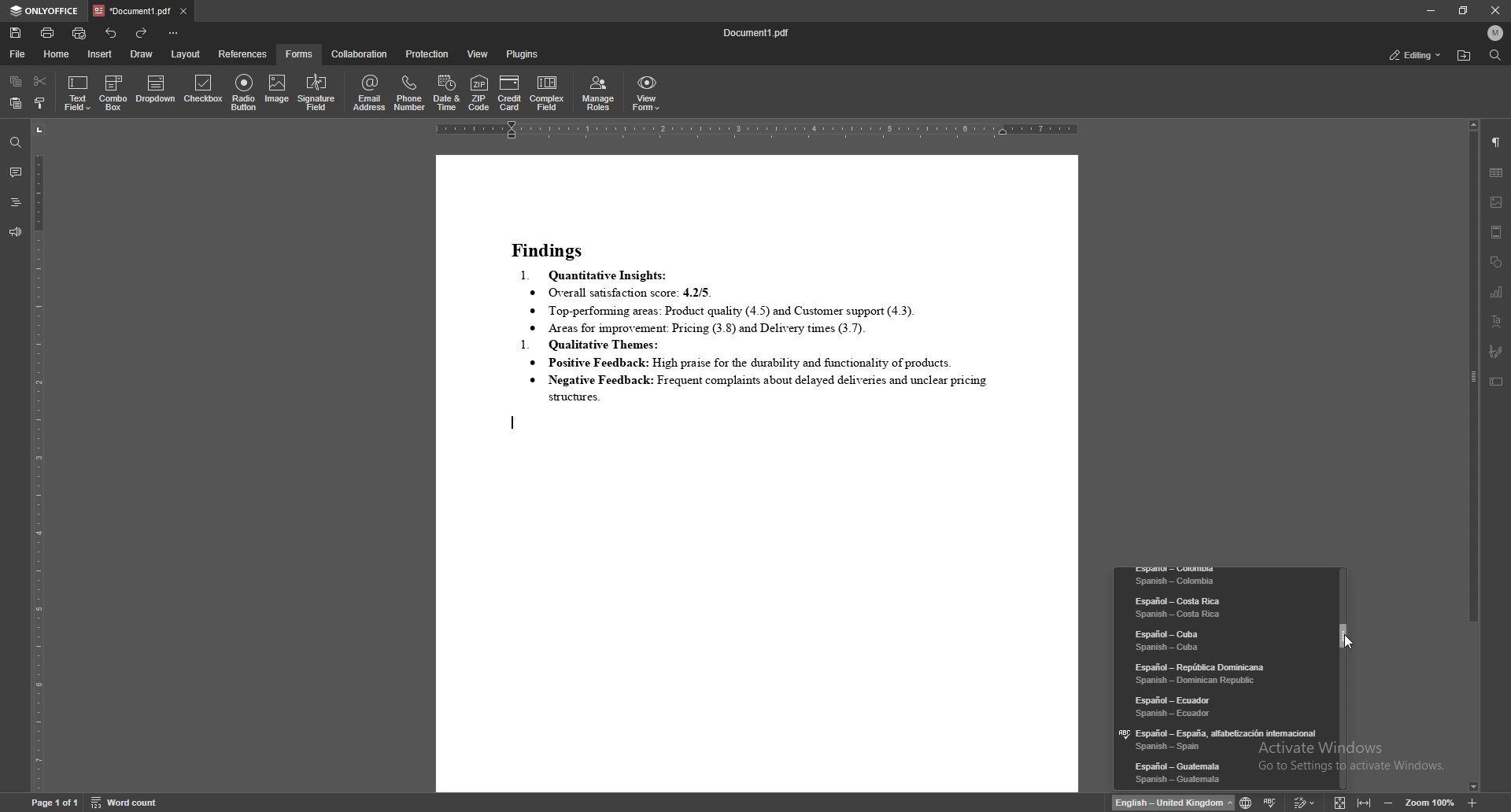 This screenshot has height=812, width=1511. I want to click on spell check, so click(1271, 802).